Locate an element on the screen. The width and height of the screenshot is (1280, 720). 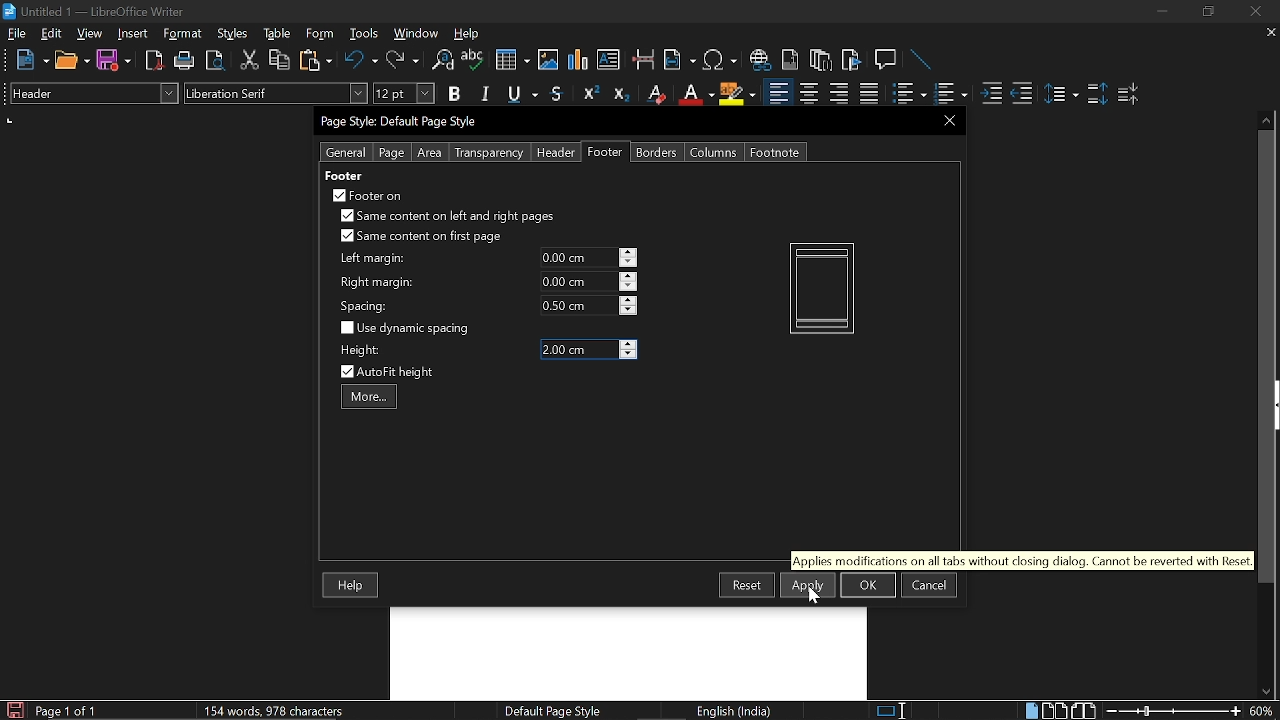
Close current tab is located at coordinates (1267, 32).